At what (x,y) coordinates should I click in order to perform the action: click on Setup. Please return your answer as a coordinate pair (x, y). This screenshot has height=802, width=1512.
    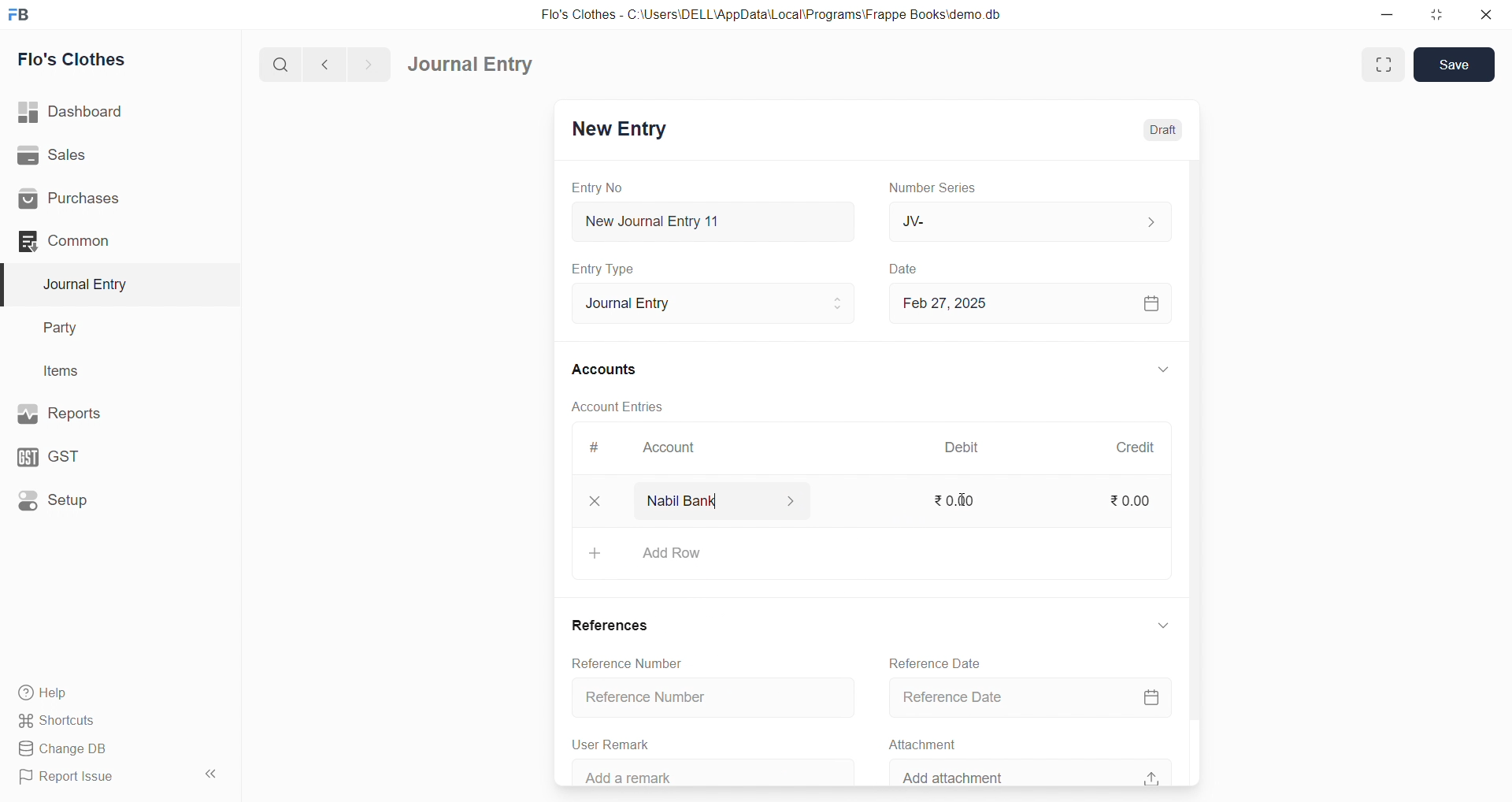
    Looking at the image, I should click on (91, 503).